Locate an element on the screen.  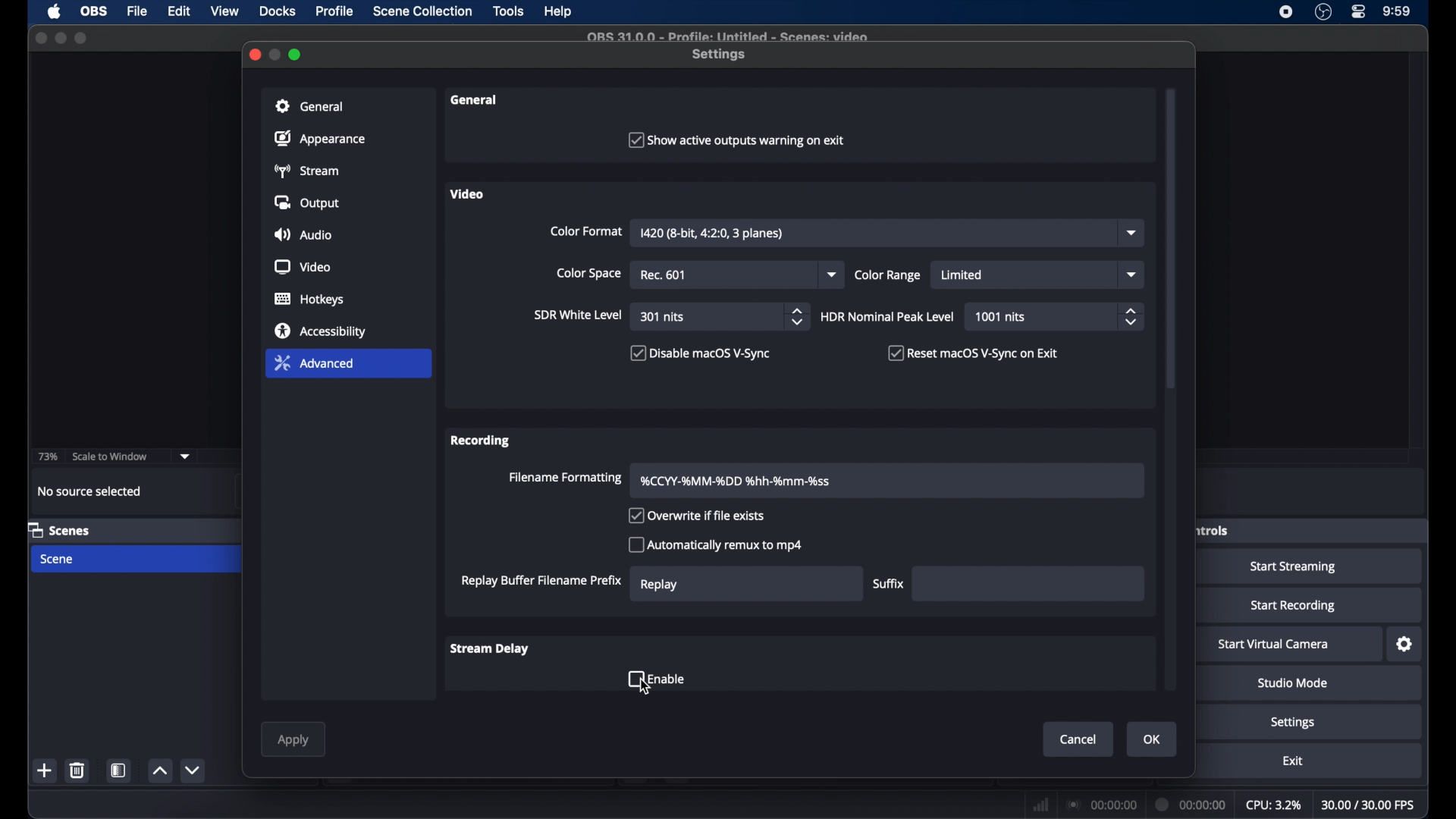
video is located at coordinates (302, 267).